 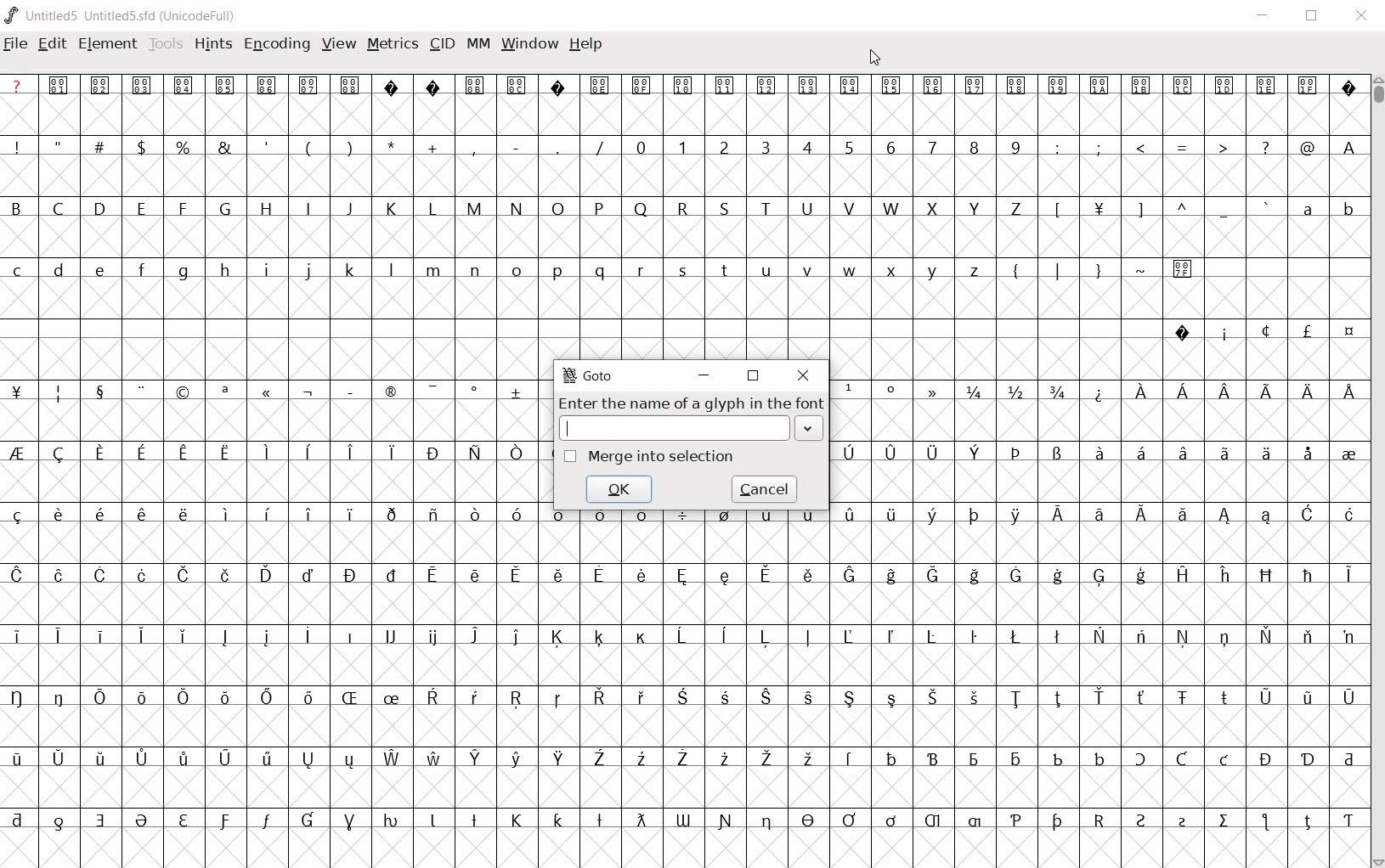 I want to click on Symbol, so click(x=514, y=759).